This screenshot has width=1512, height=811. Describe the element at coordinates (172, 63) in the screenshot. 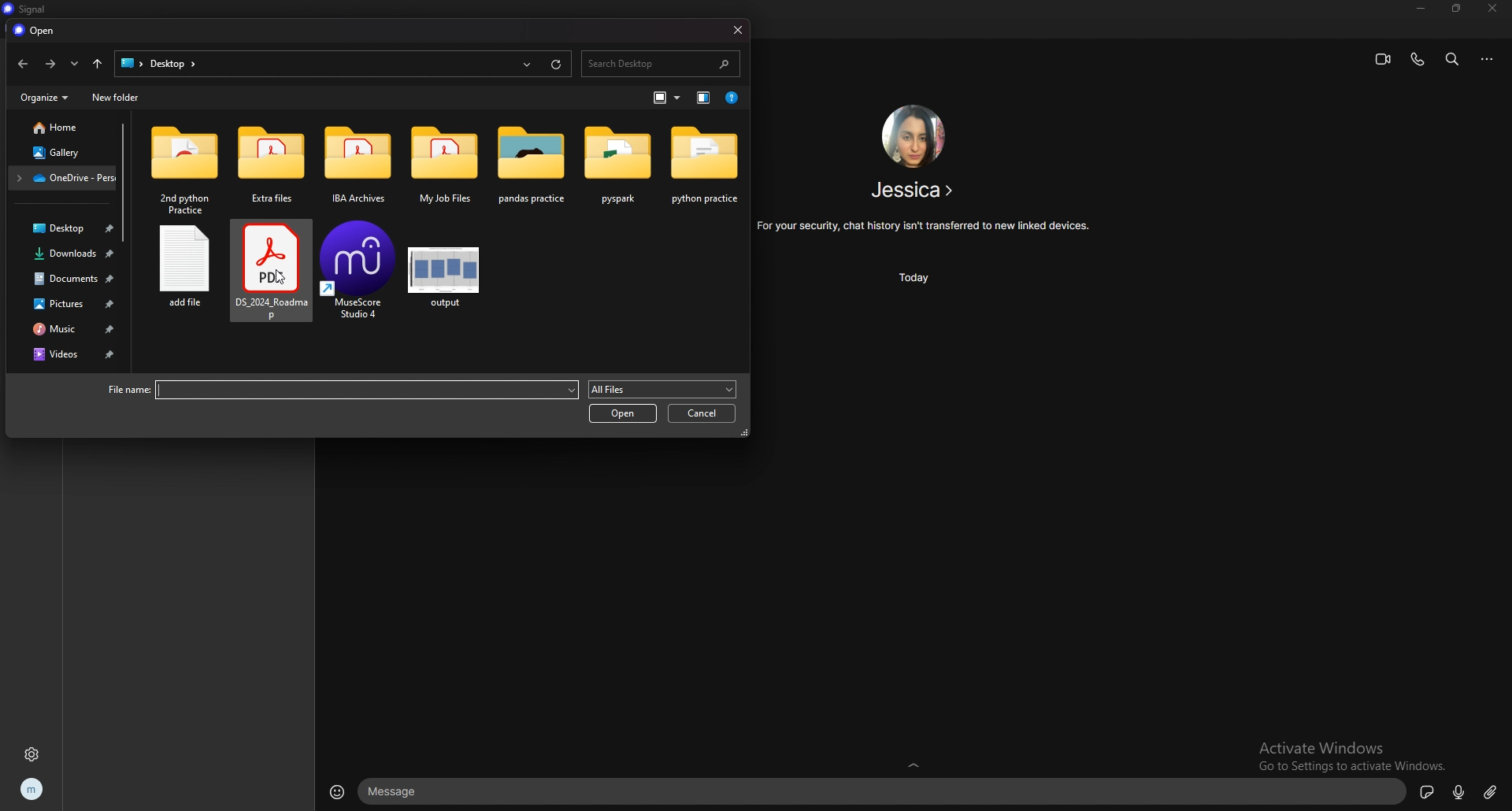

I see `desktop` at that location.